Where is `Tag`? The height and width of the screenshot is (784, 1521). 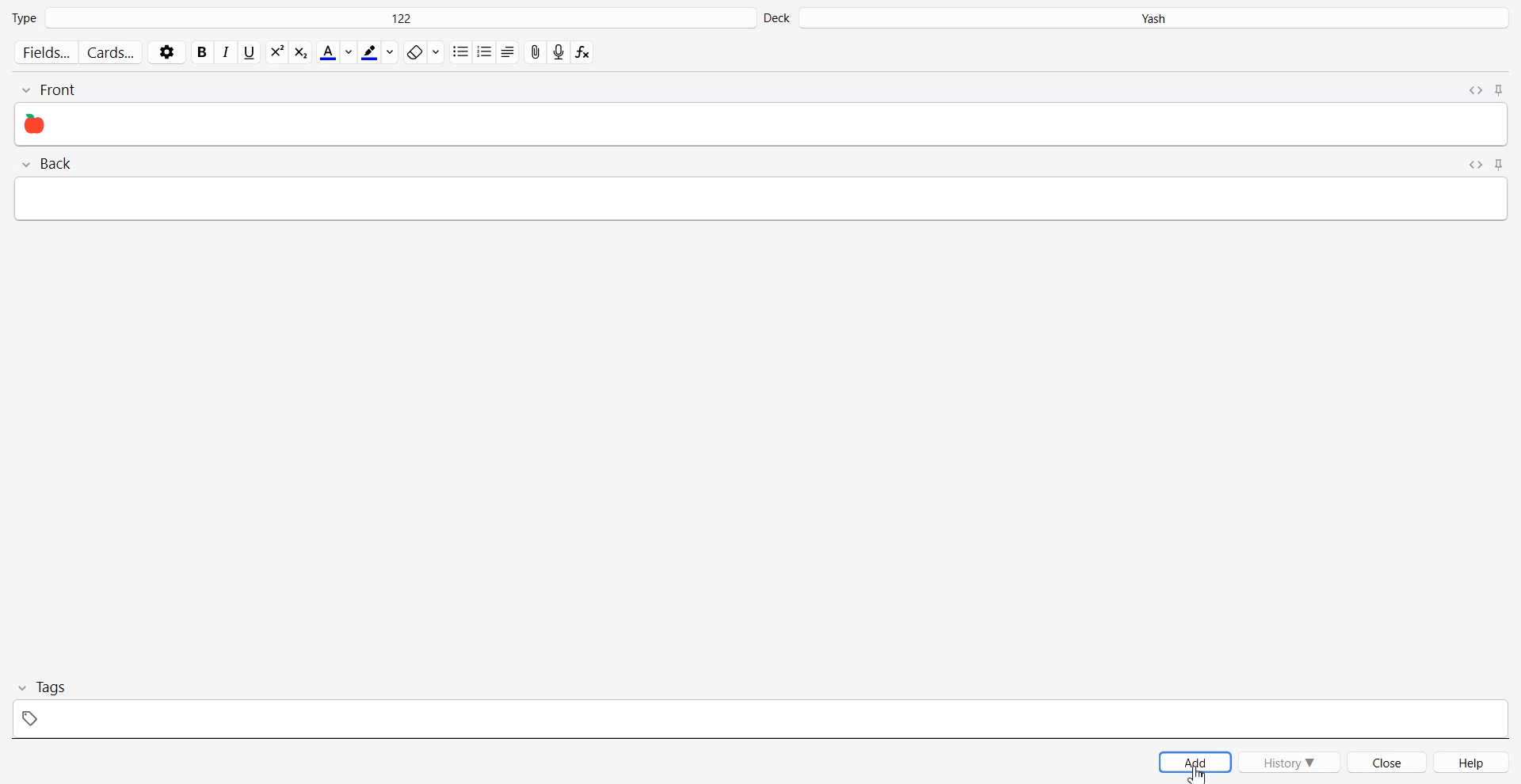 Tag is located at coordinates (760, 705).